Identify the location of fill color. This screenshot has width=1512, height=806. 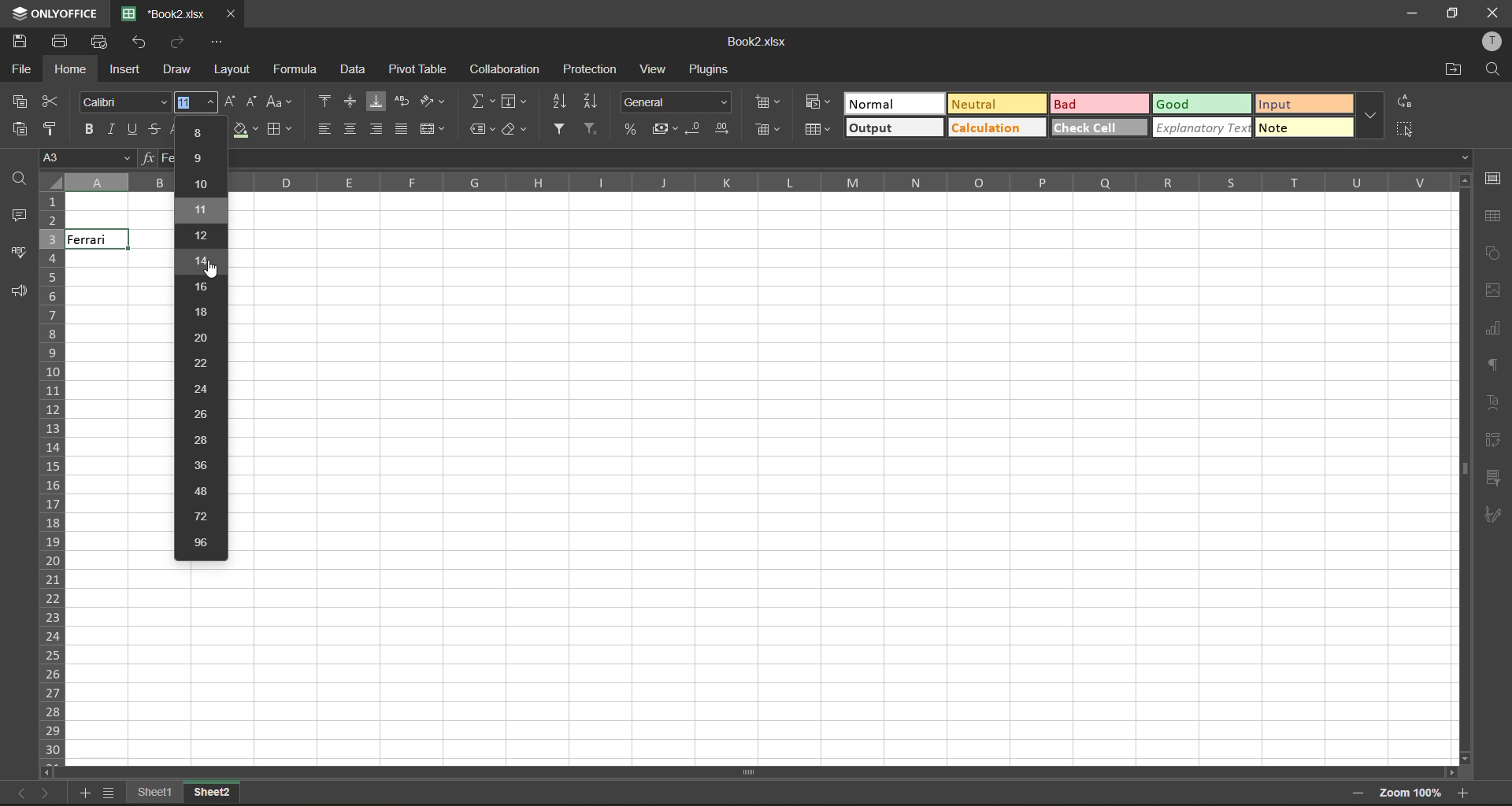
(243, 130).